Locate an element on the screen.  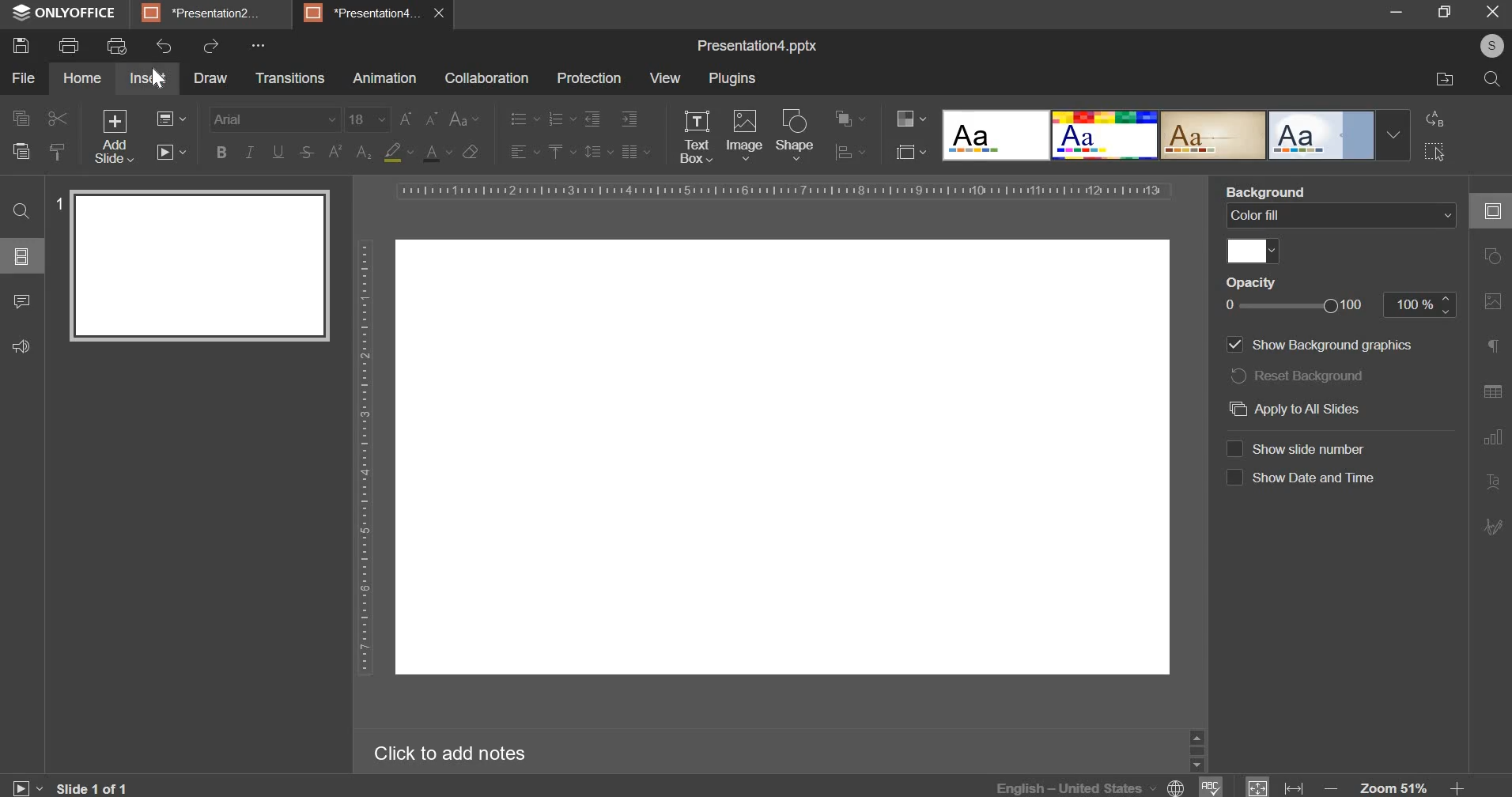
set text language is located at coordinates (1075, 787).